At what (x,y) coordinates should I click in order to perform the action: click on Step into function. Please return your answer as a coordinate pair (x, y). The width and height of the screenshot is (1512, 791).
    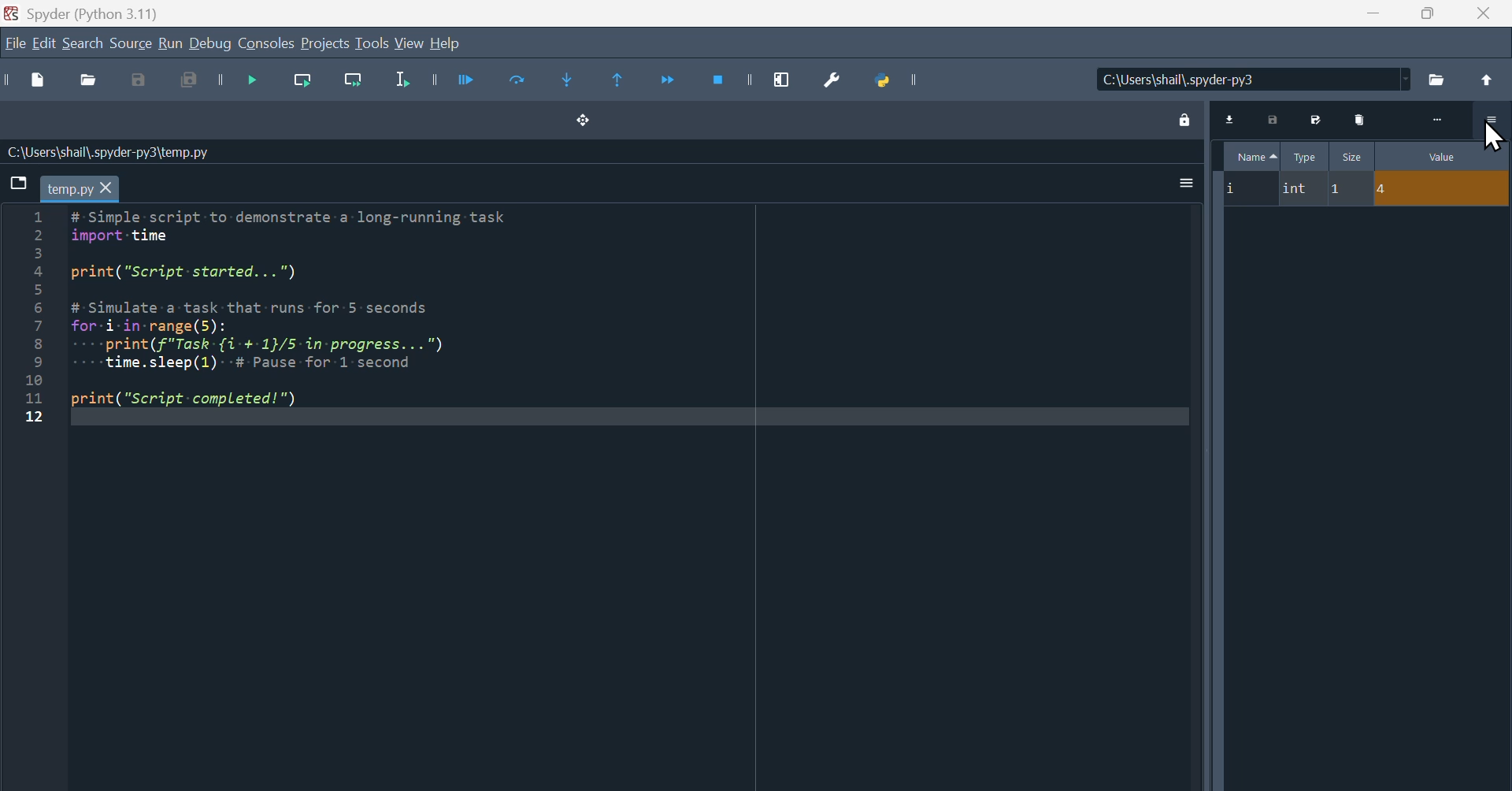
    Looking at the image, I should click on (569, 83).